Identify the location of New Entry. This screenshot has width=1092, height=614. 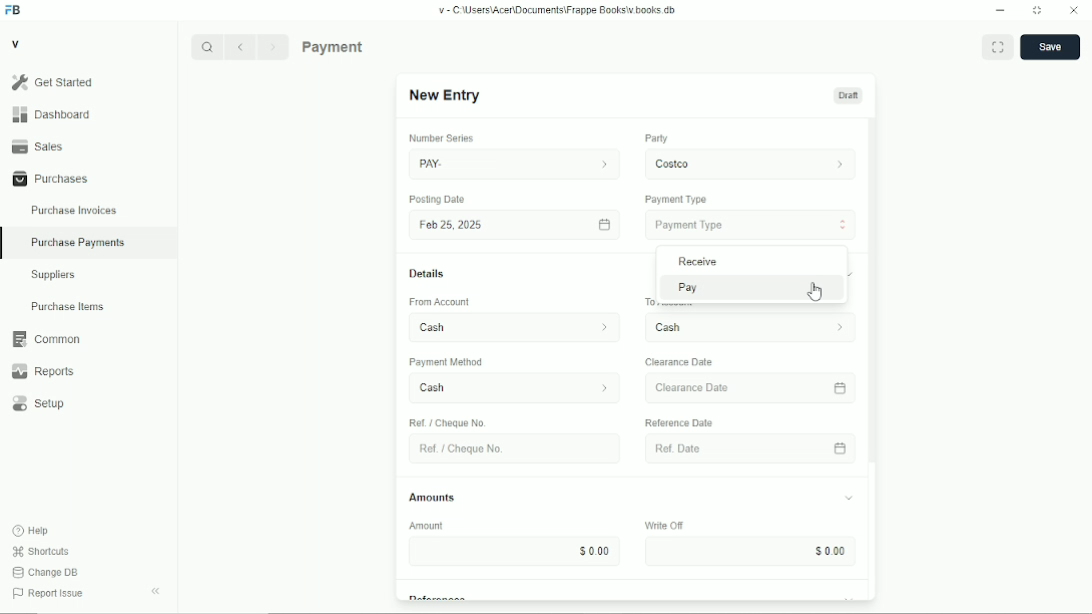
(447, 95).